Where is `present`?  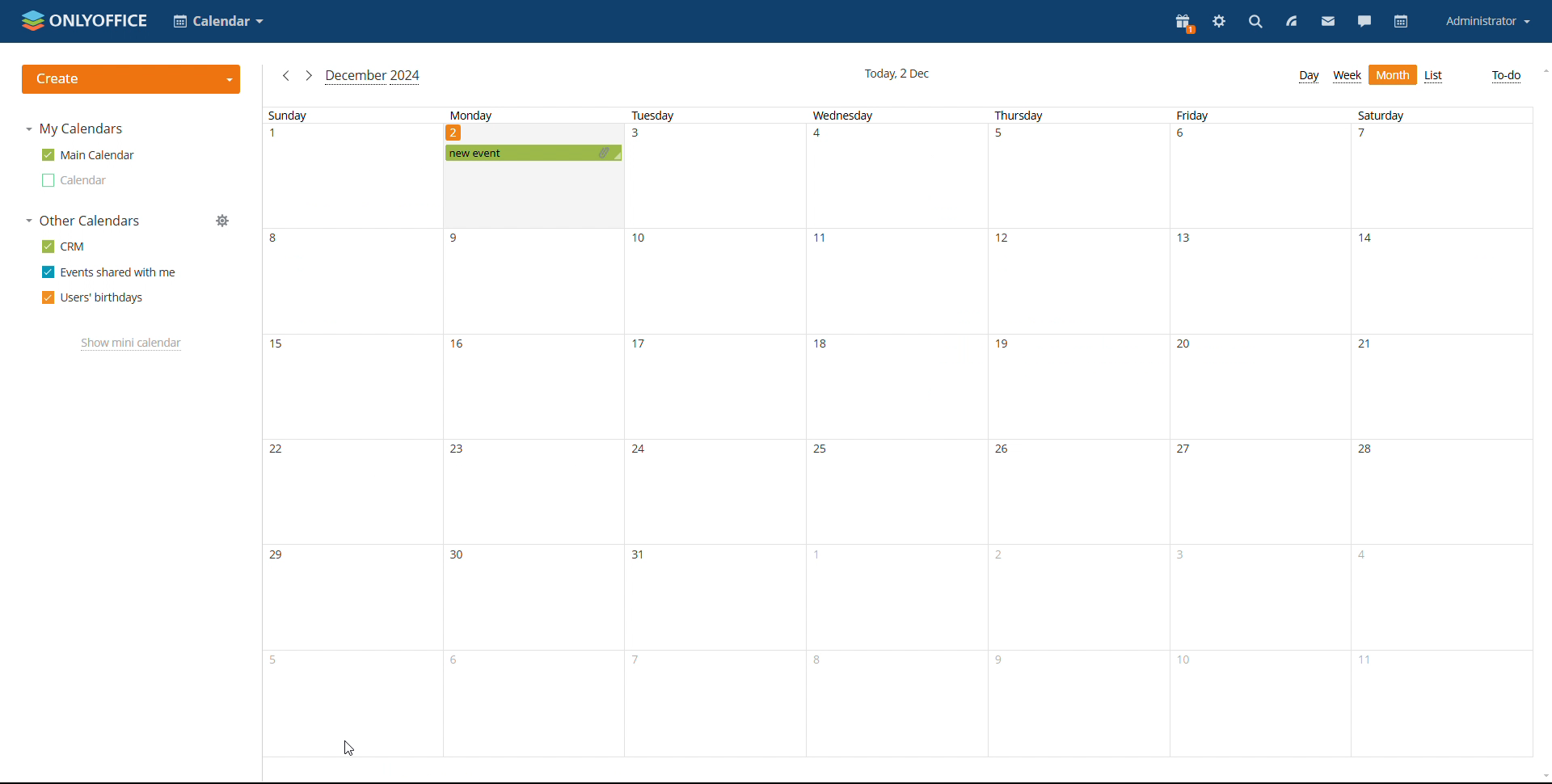 present is located at coordinates (1183, 23).